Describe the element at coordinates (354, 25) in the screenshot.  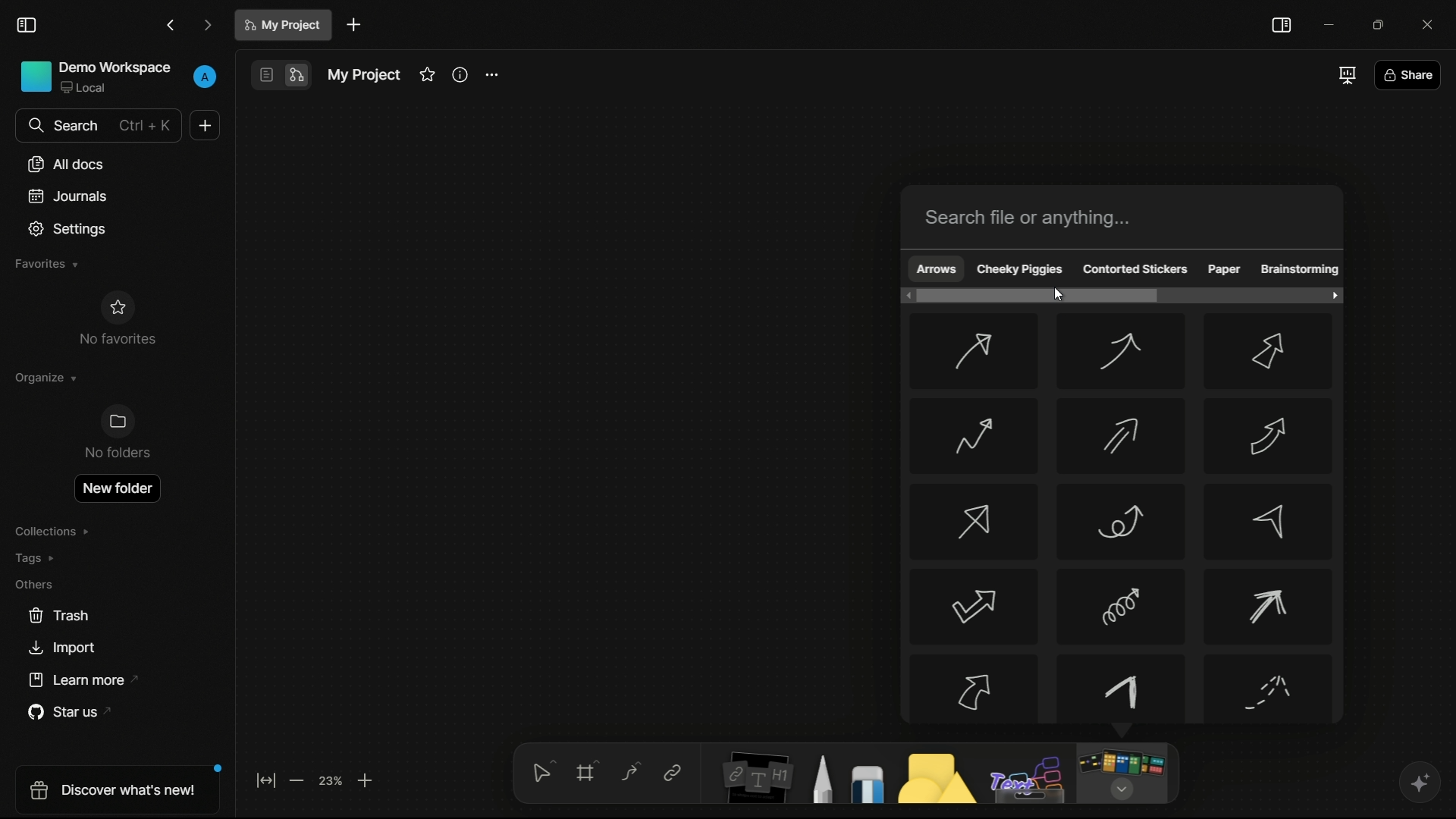
I see `new document` at that location.